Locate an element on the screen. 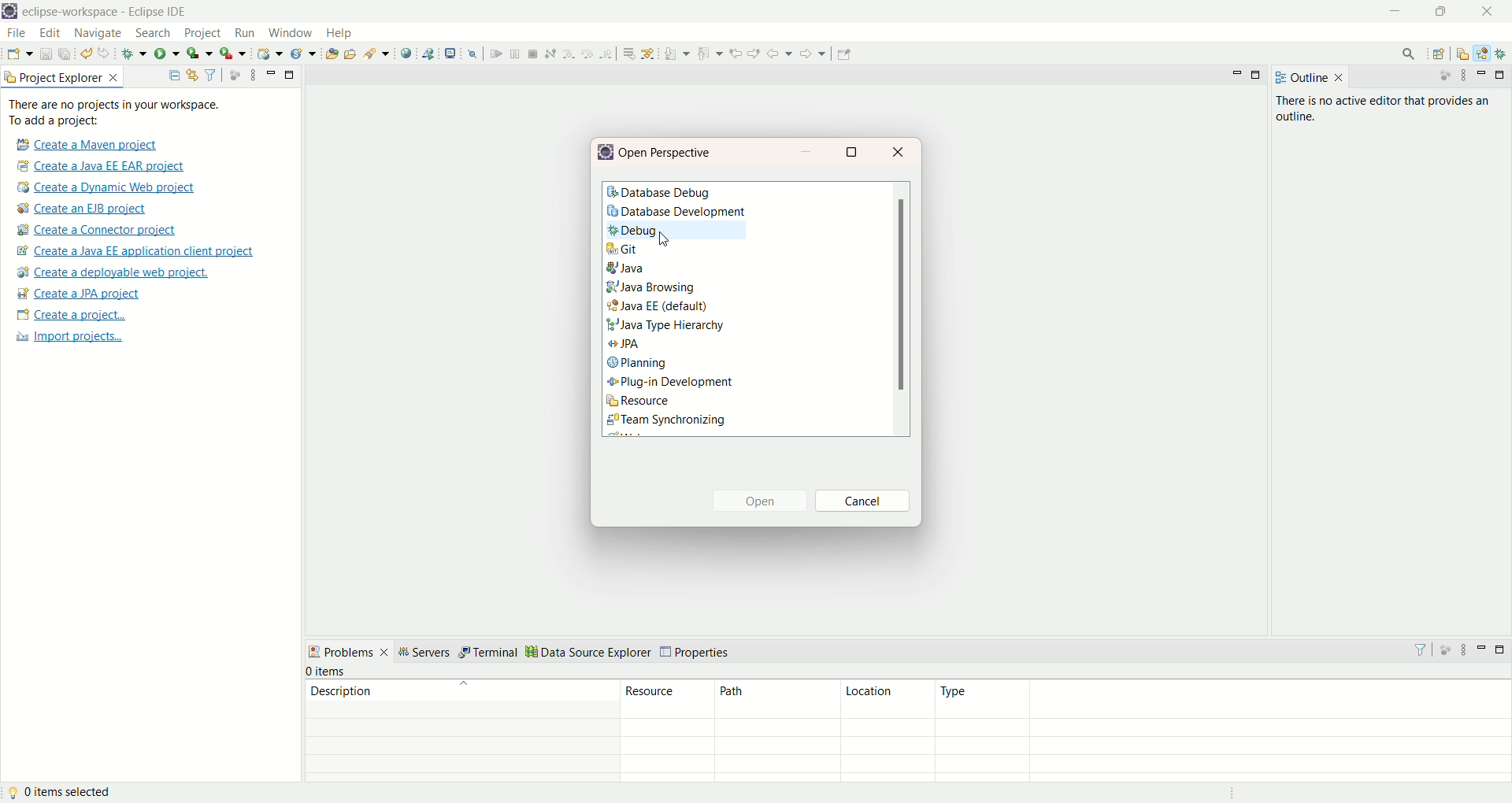  maximize is located at coordinates (1503, 651).